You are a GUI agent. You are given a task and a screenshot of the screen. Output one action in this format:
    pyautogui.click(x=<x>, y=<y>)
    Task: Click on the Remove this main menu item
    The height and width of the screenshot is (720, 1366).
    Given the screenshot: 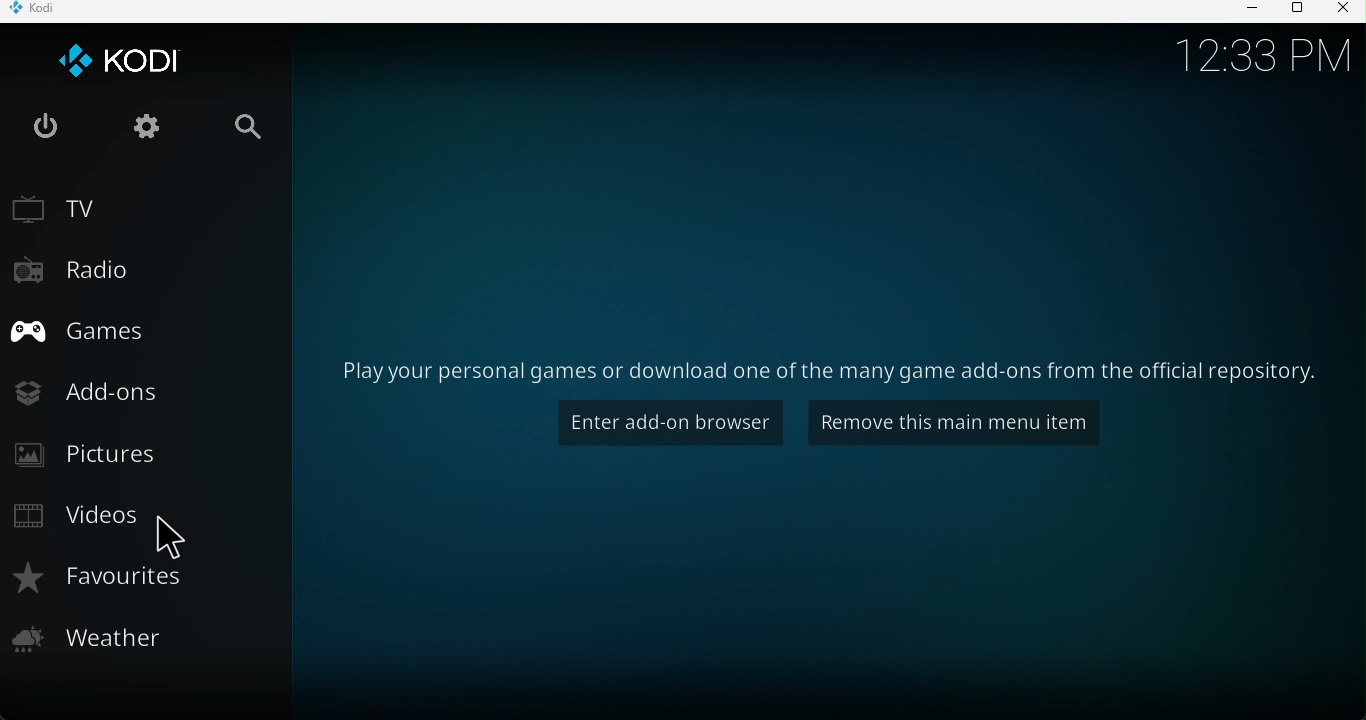 What is the action you would take?
    pyautogui.click(x=953, y=423)
    